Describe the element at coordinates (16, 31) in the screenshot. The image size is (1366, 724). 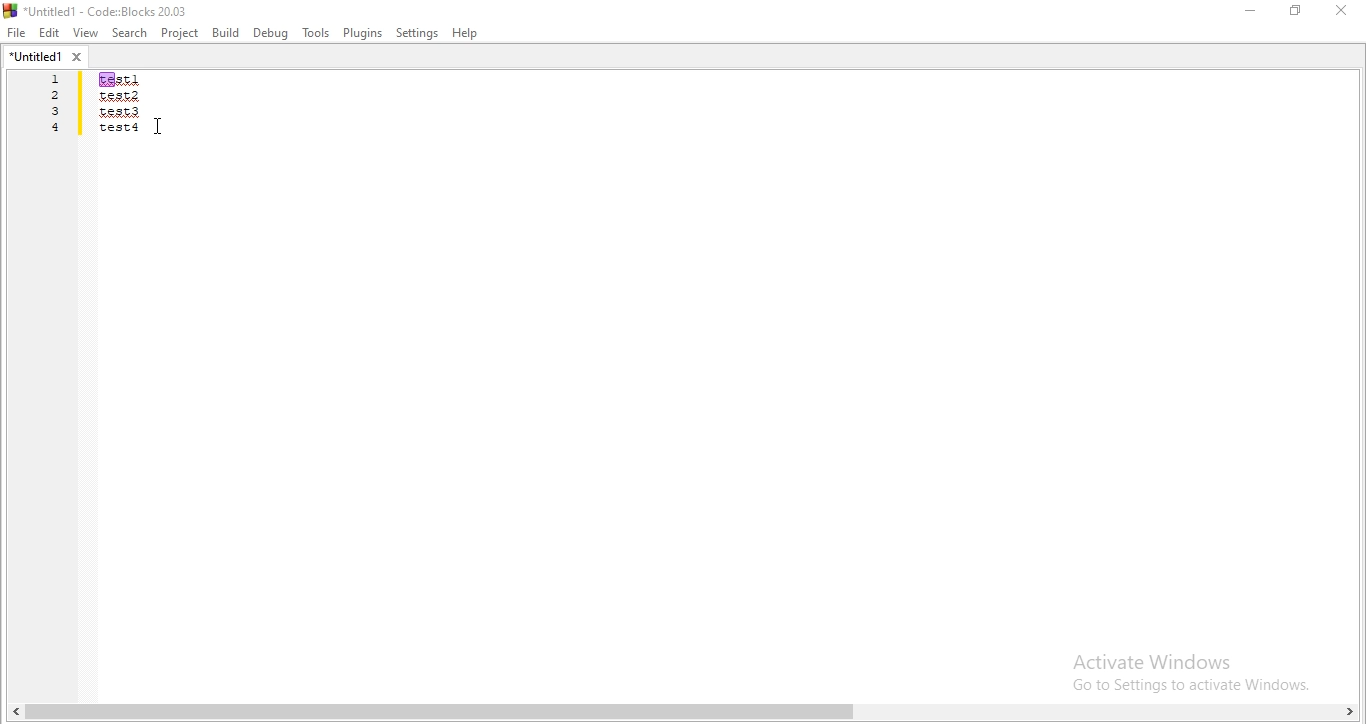
I see `file` at that location.